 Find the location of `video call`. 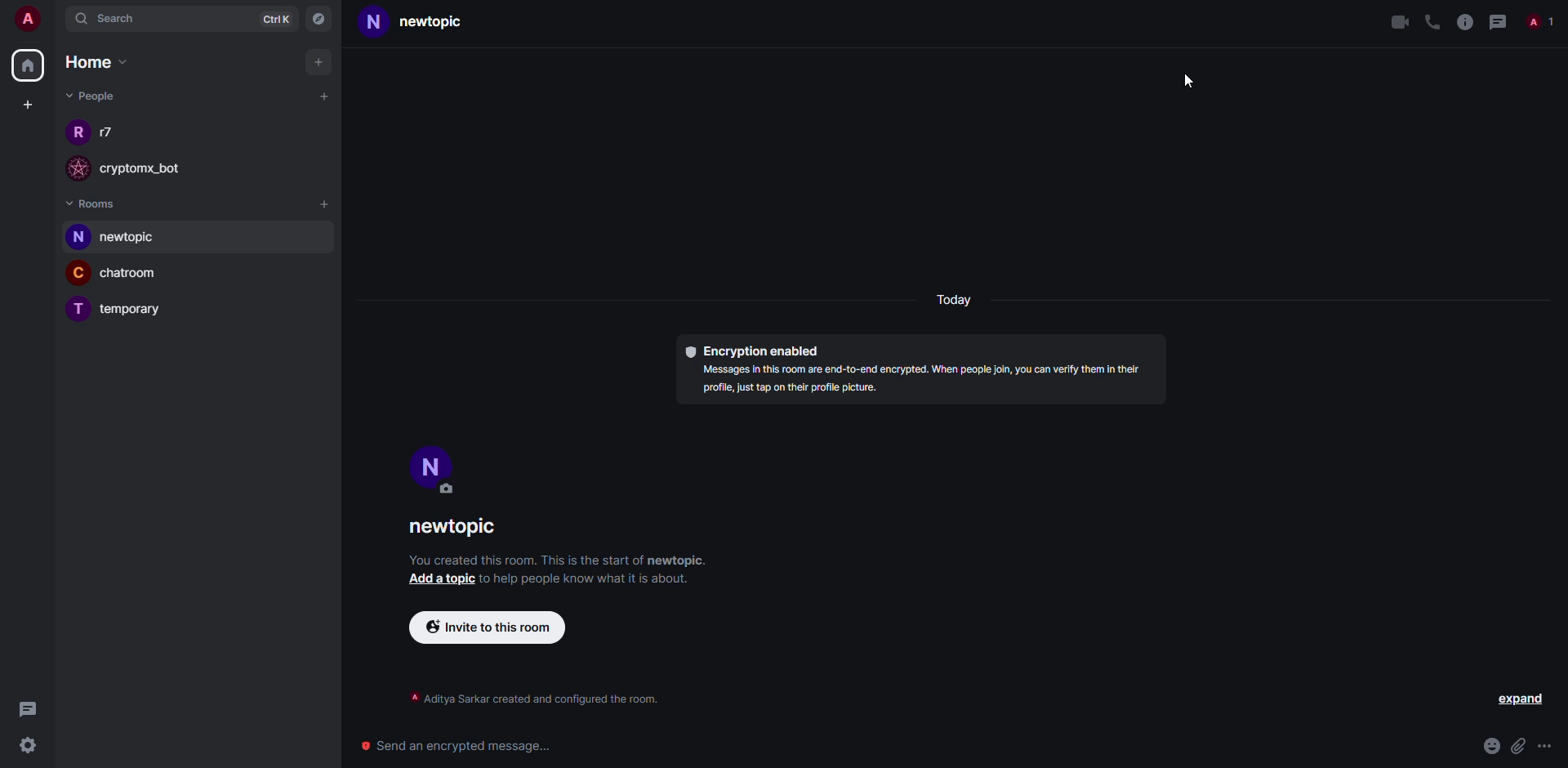

video call is located at coordinates (1398, 22).